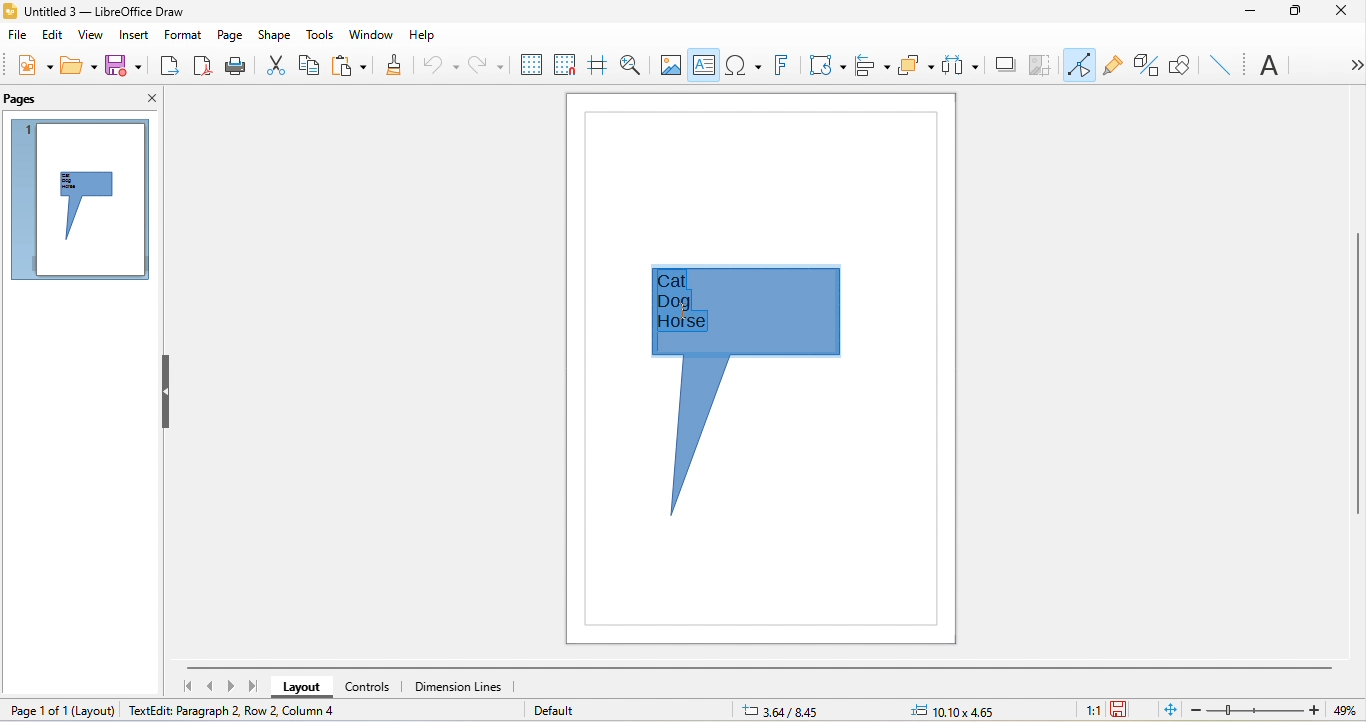 Image resolution: width=1366 pixels, height=722 pixels. Describe the element at coordinates (1343, 708) in the screenshot. I see `49%` at that location.